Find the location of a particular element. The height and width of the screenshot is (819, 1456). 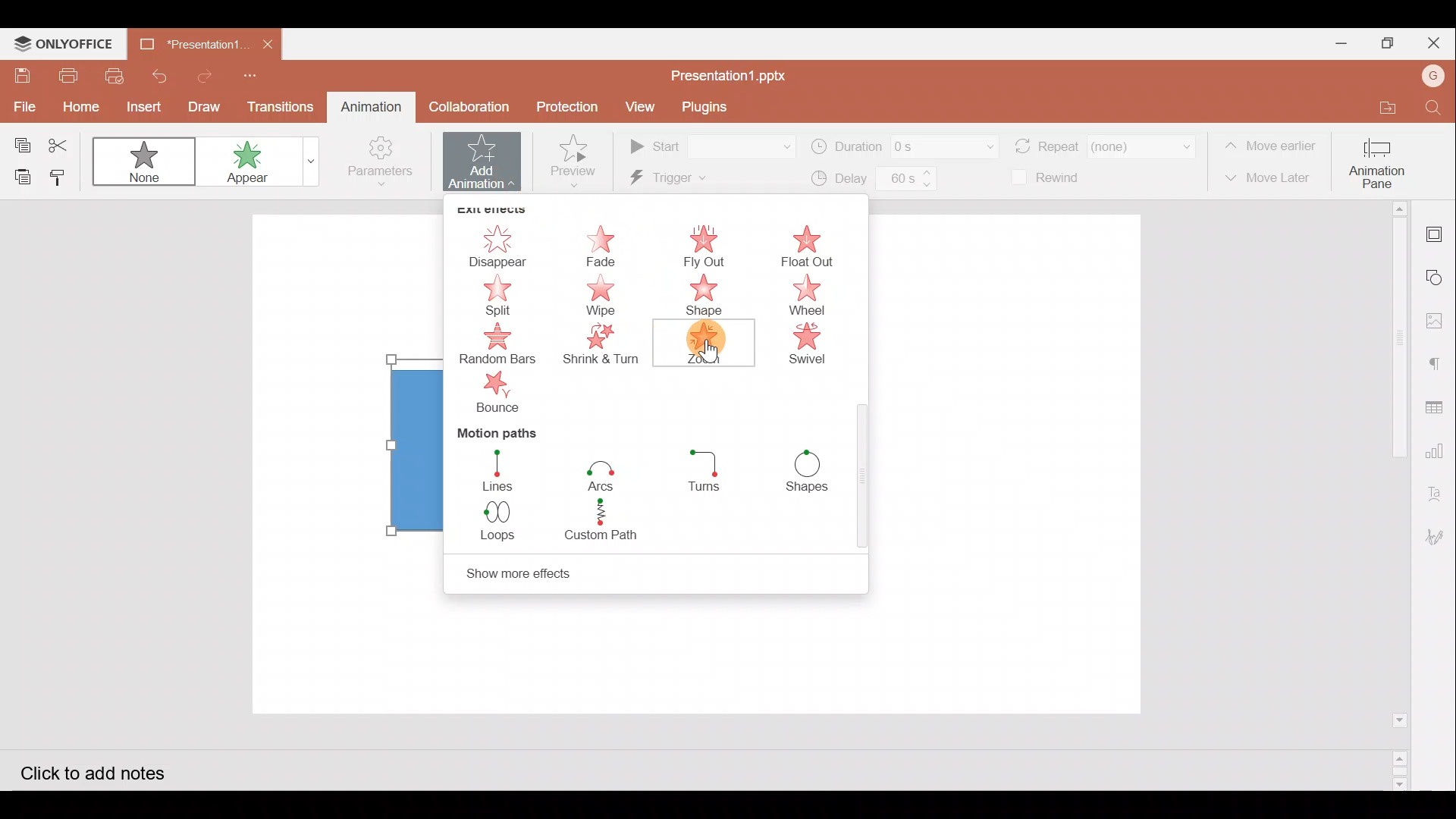

Move earlier is located at coordinates (1273, 146).